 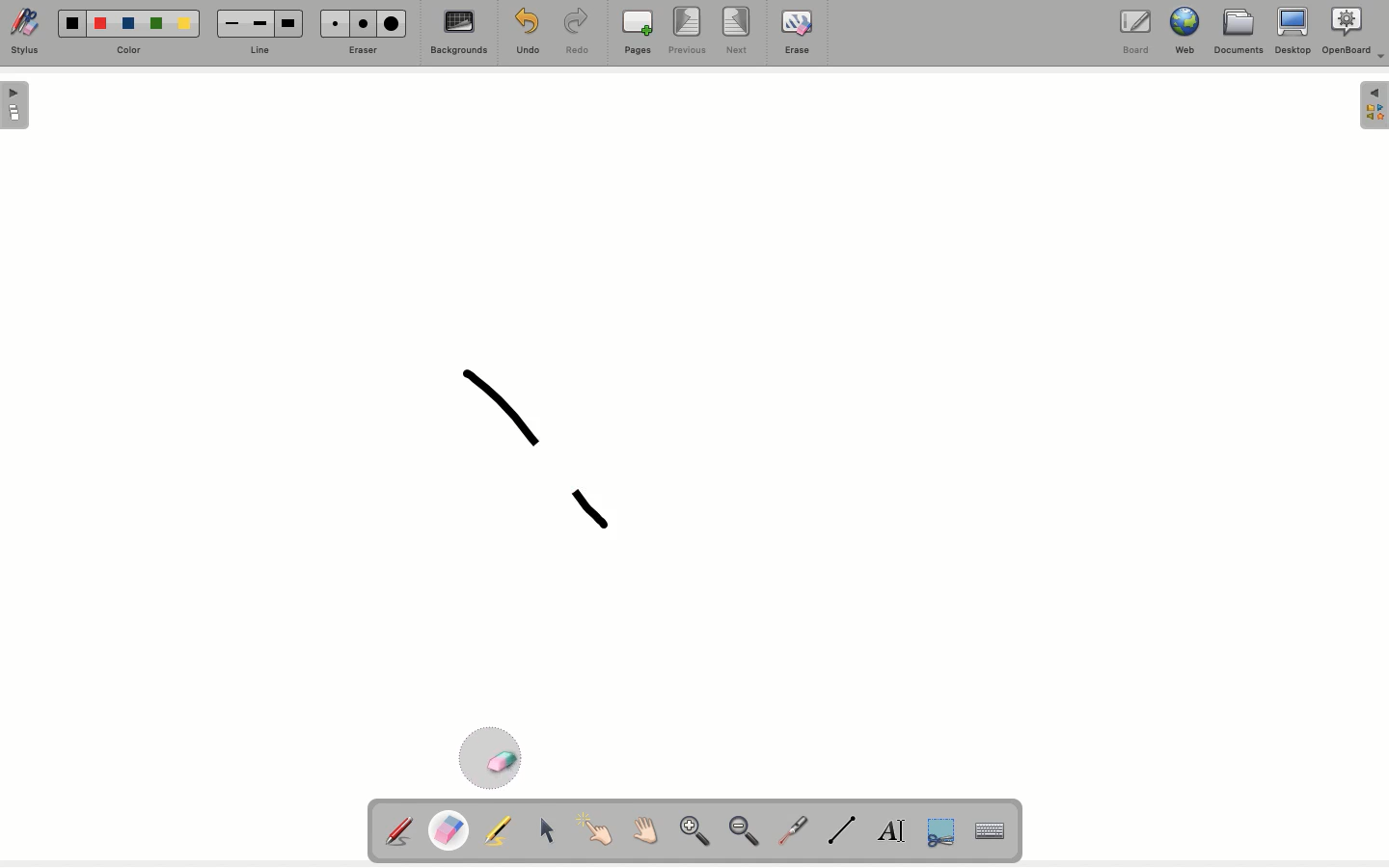 I want to click on Previous, so click(x=690, y=33).